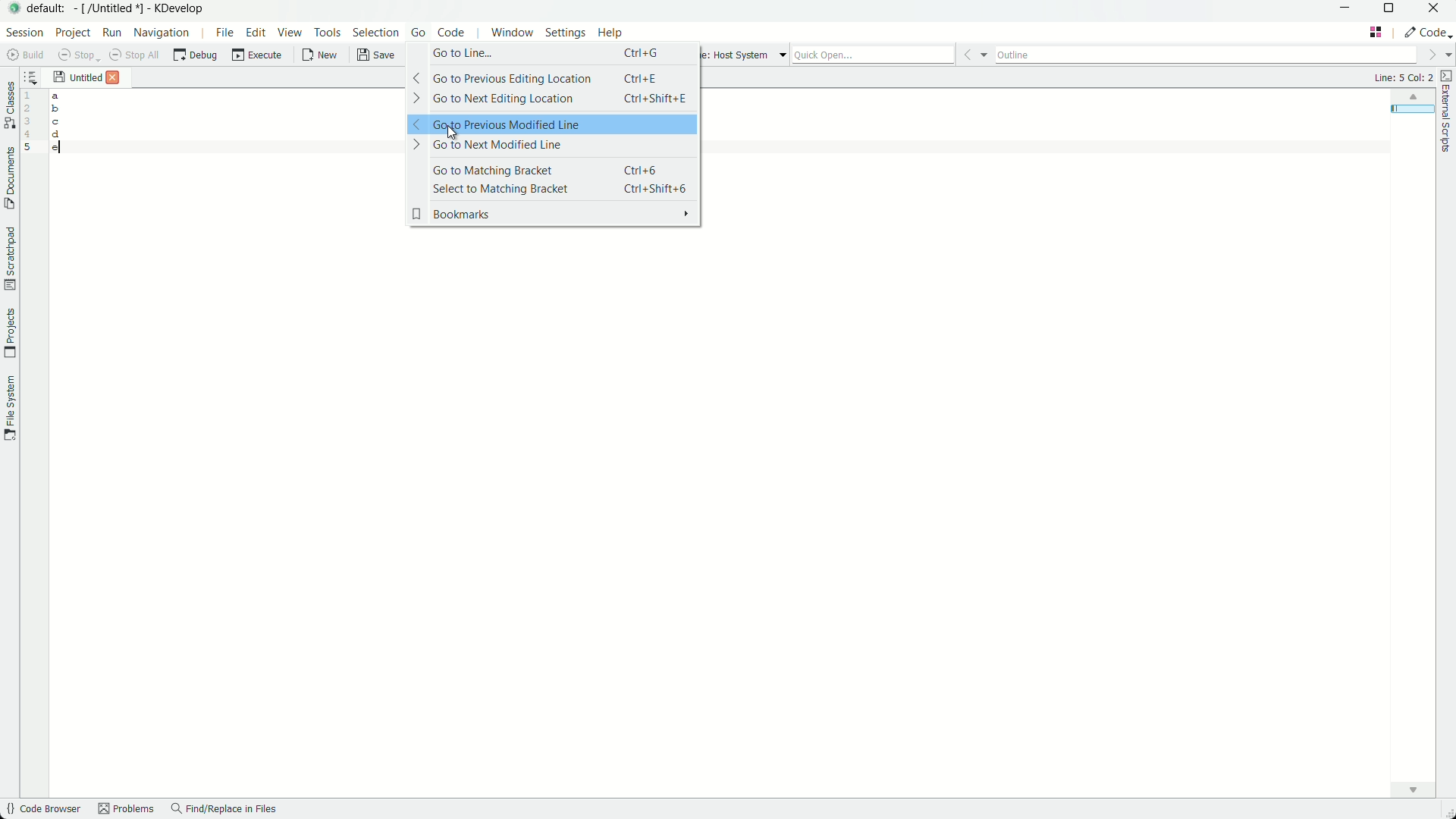 This screenshot has width=1456, height=819. What do you see at coordinates (84, 78) in the screenshot?
I see `untitled` at bounding box center [84, 78].